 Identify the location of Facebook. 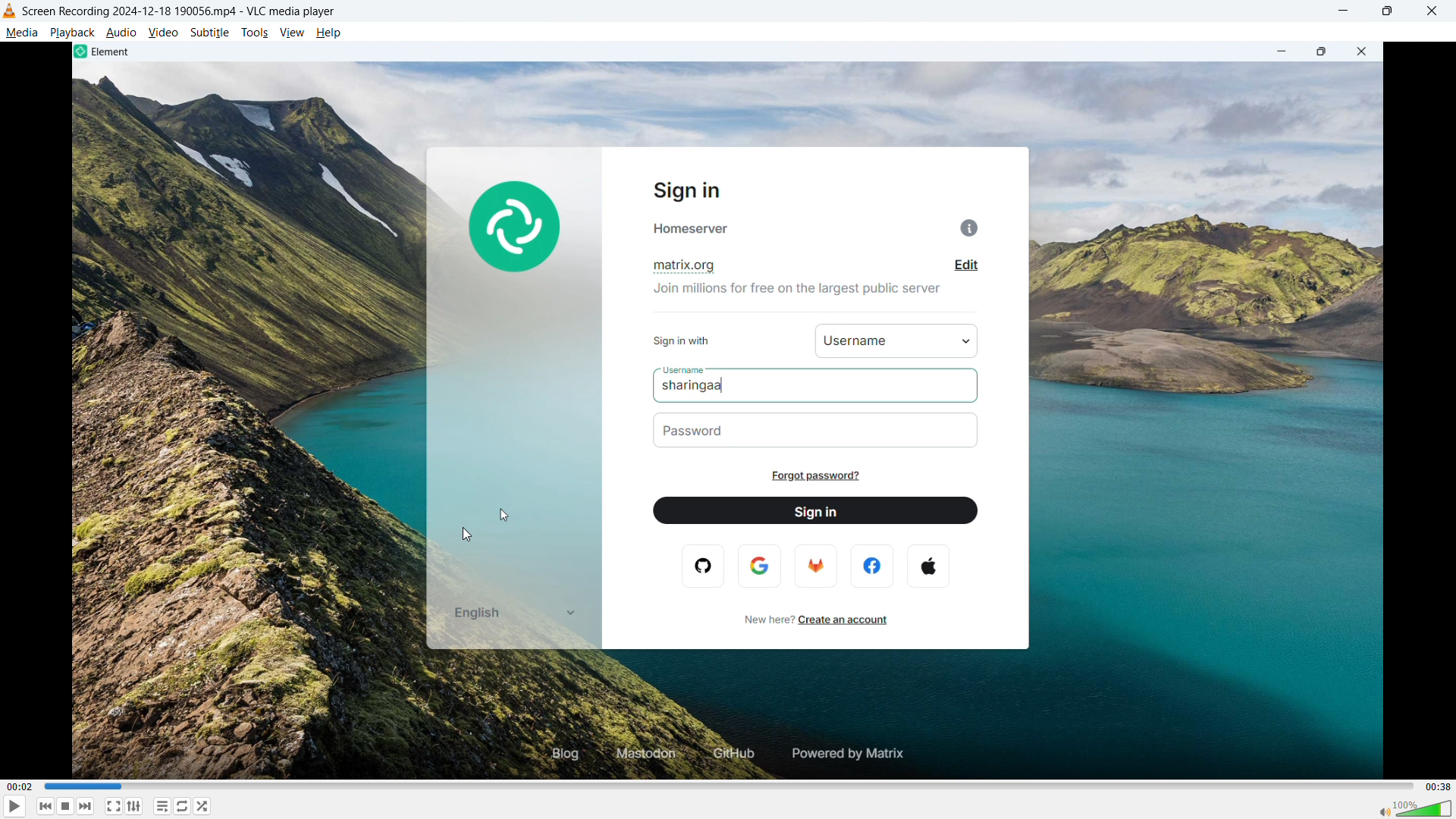
(871, 565).